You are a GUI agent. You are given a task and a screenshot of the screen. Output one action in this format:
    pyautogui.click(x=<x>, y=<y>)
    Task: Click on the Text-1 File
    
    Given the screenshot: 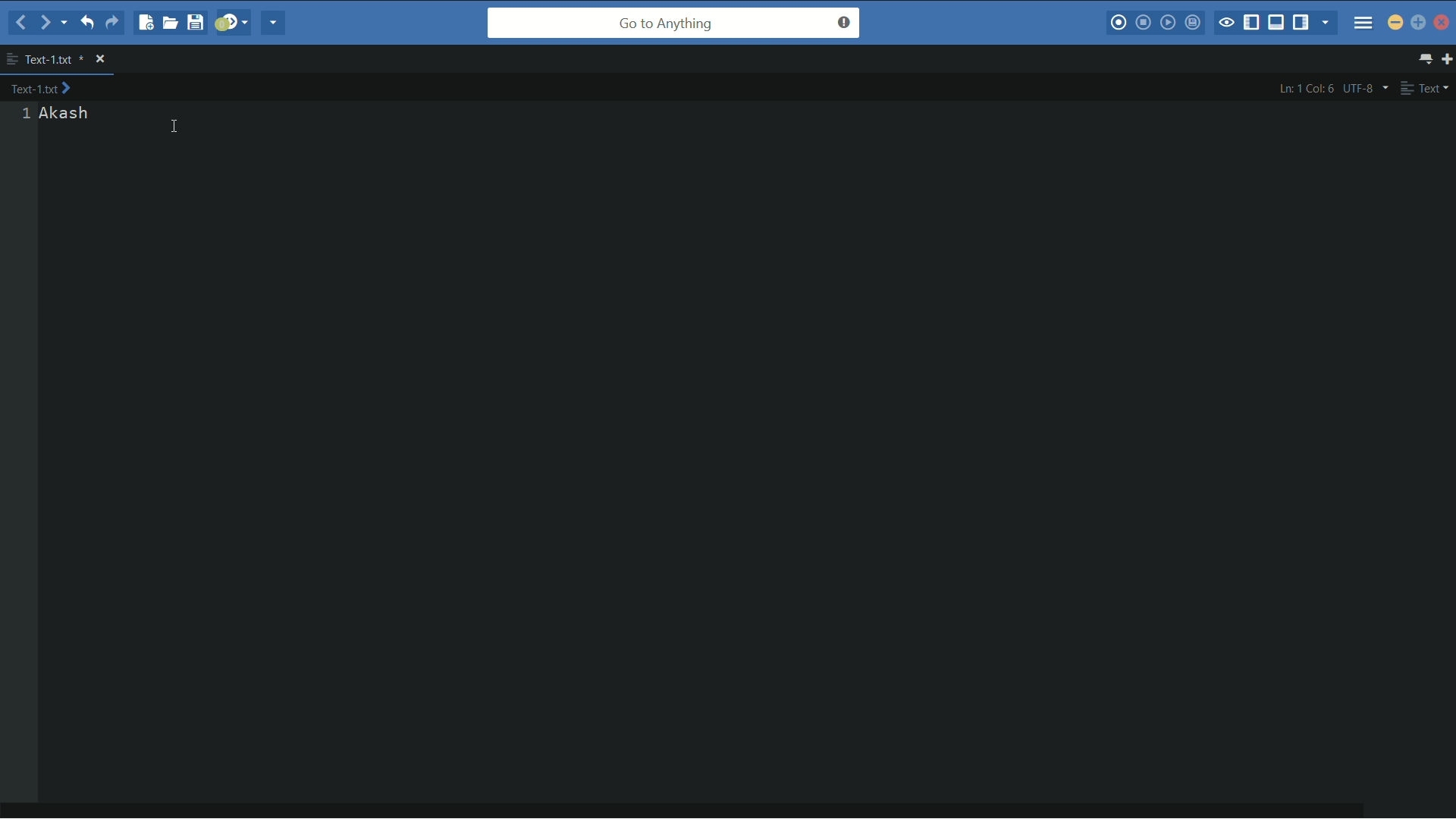 What is the action you would take?
    pyautogui.click(x=54, y=58)
    